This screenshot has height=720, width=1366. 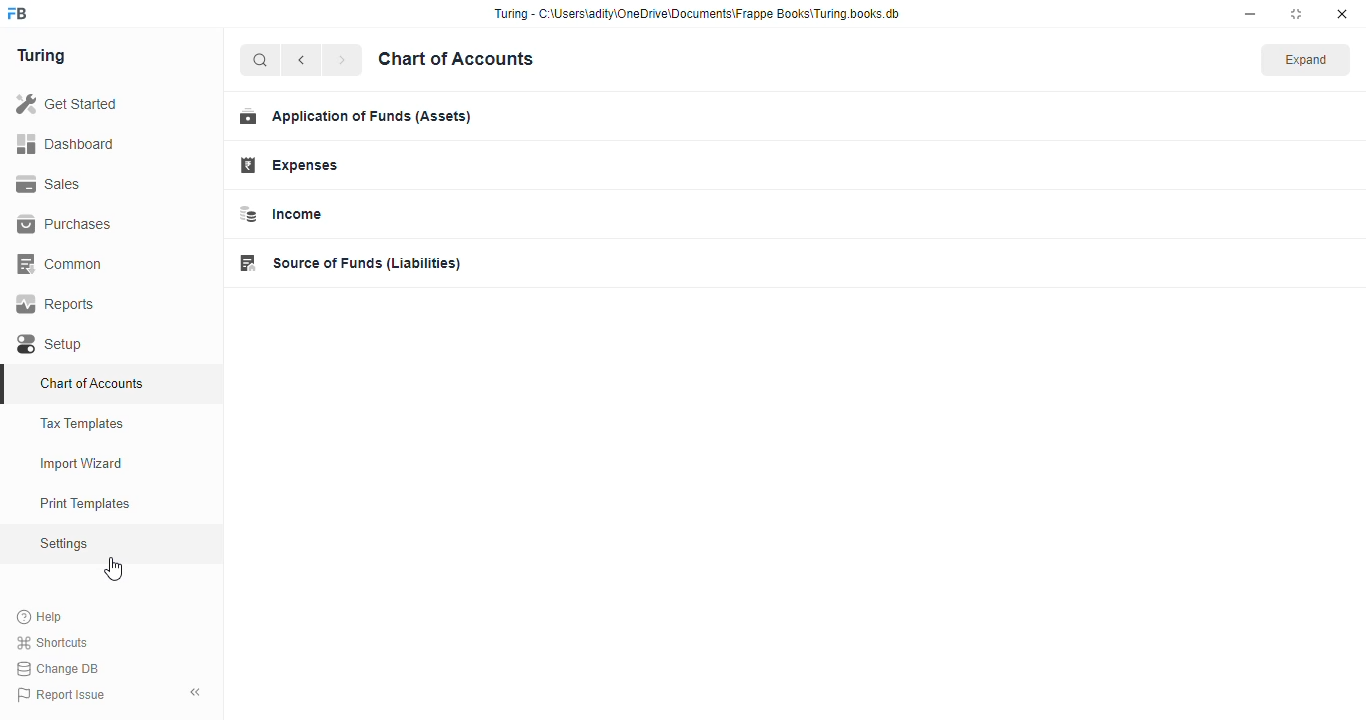 What do you see at coordinates (60, 670) in the screenshot?
I see `Change DB` at bounding box center [60, 670].